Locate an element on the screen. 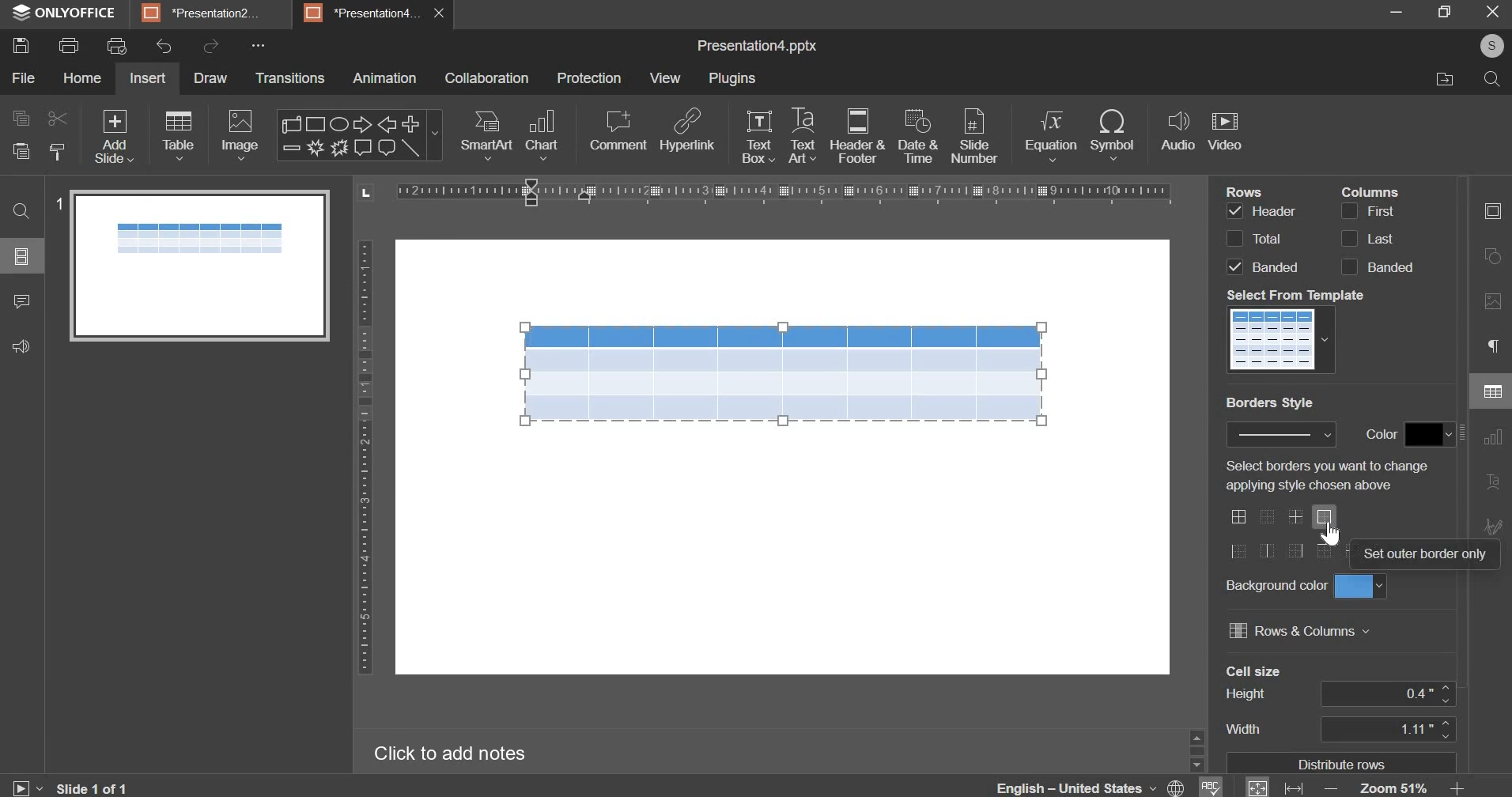 The width and height of the screenshot is (1512, 797). slide preview is located at coordinates (198, 266).